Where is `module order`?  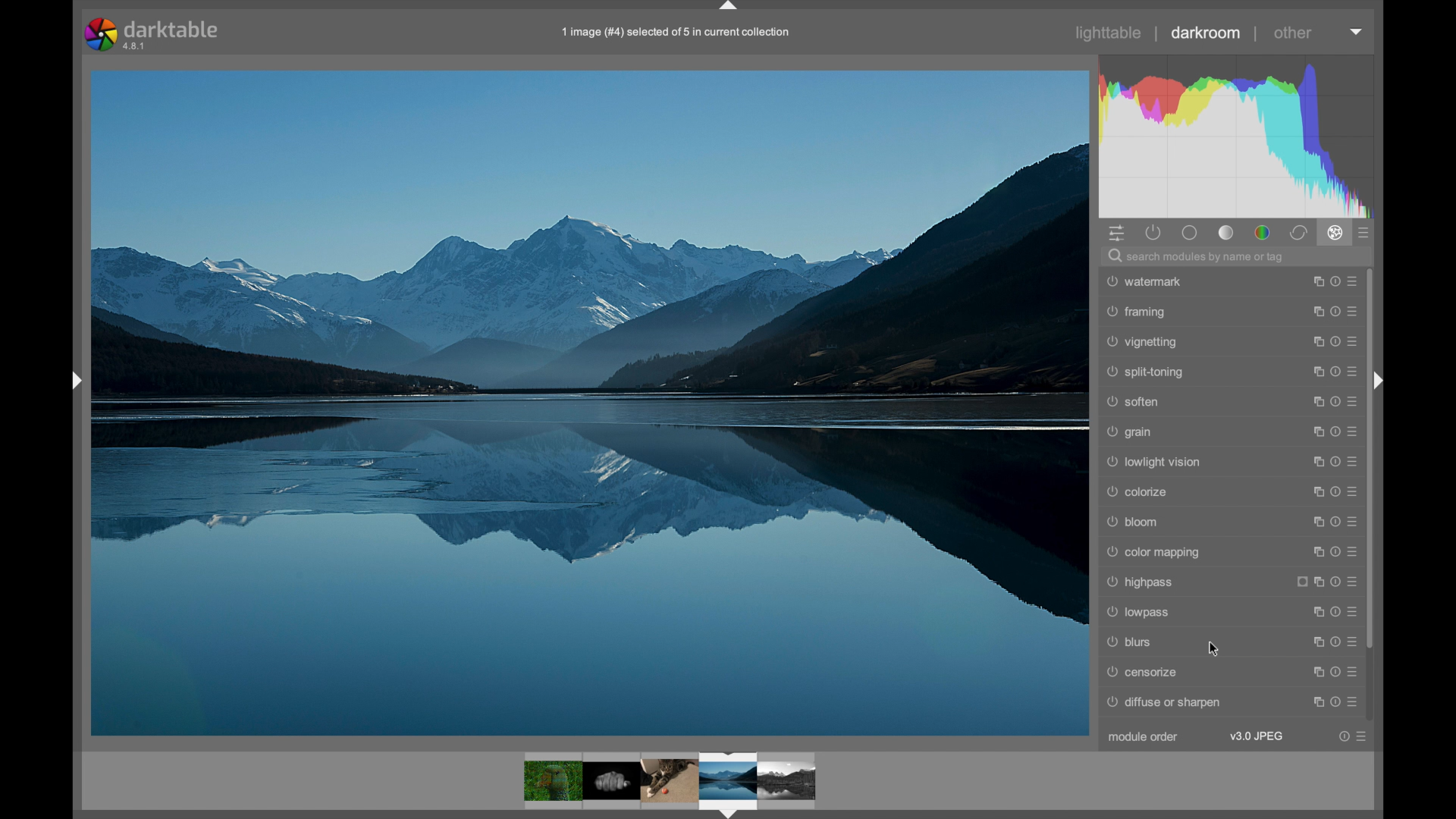 module order is located at coordinates (1142, 737).